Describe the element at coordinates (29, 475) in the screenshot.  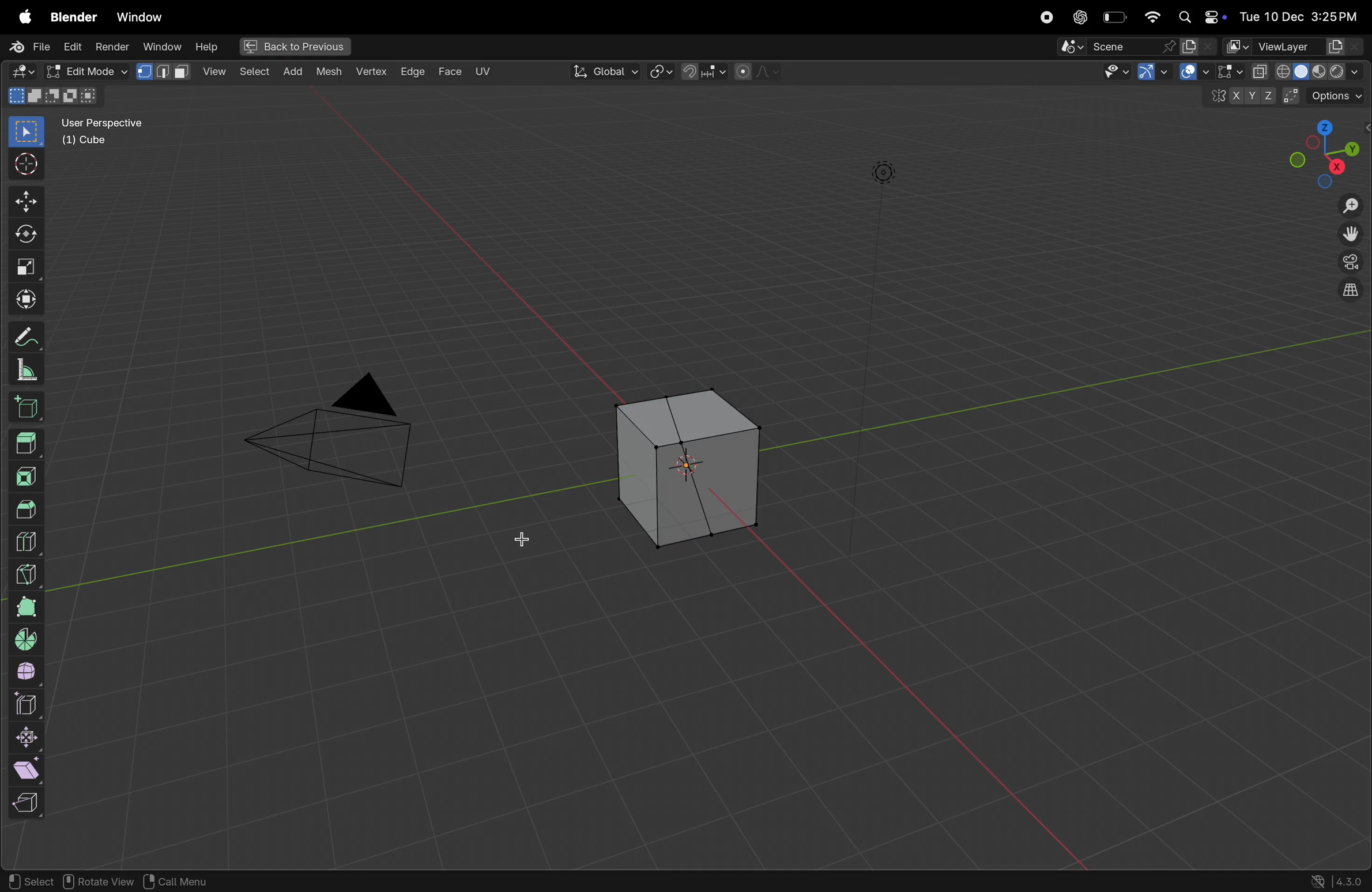
I see `insert faces` at that location.